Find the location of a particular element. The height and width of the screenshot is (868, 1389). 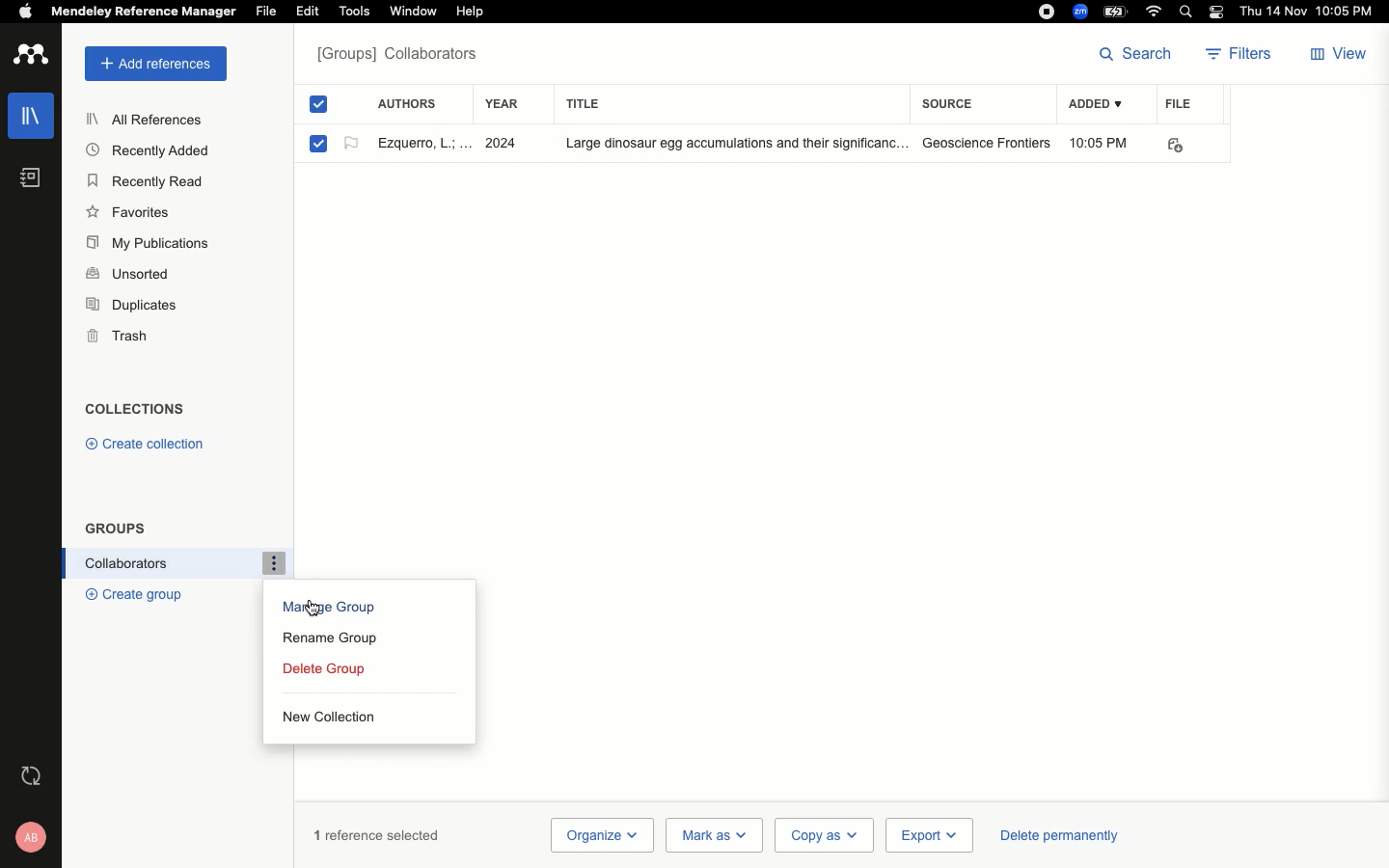

Selecting checkbox is located at coordinates (318, 143).